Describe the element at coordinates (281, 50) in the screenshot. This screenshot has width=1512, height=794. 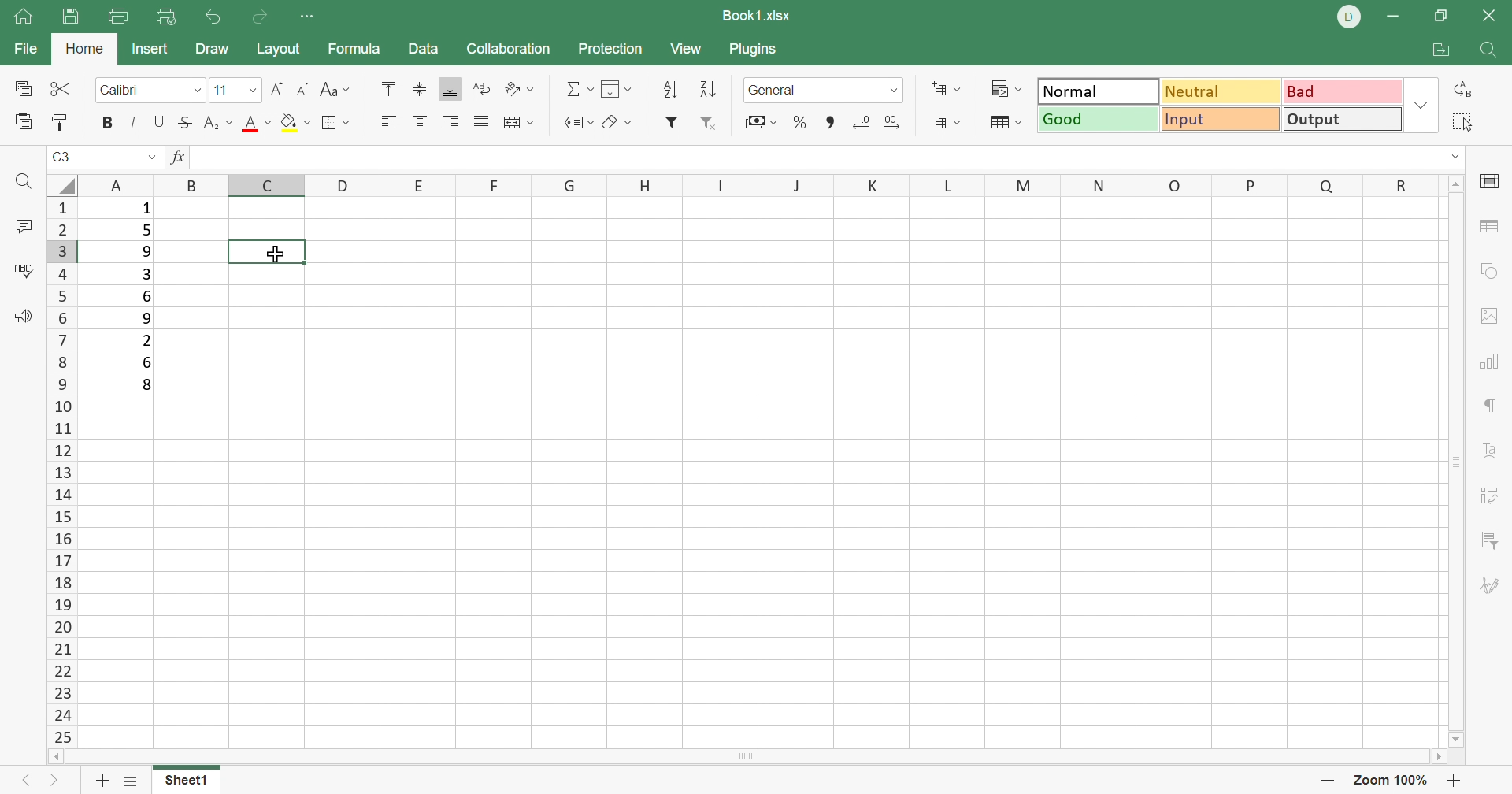
I see `Layout` at that location.